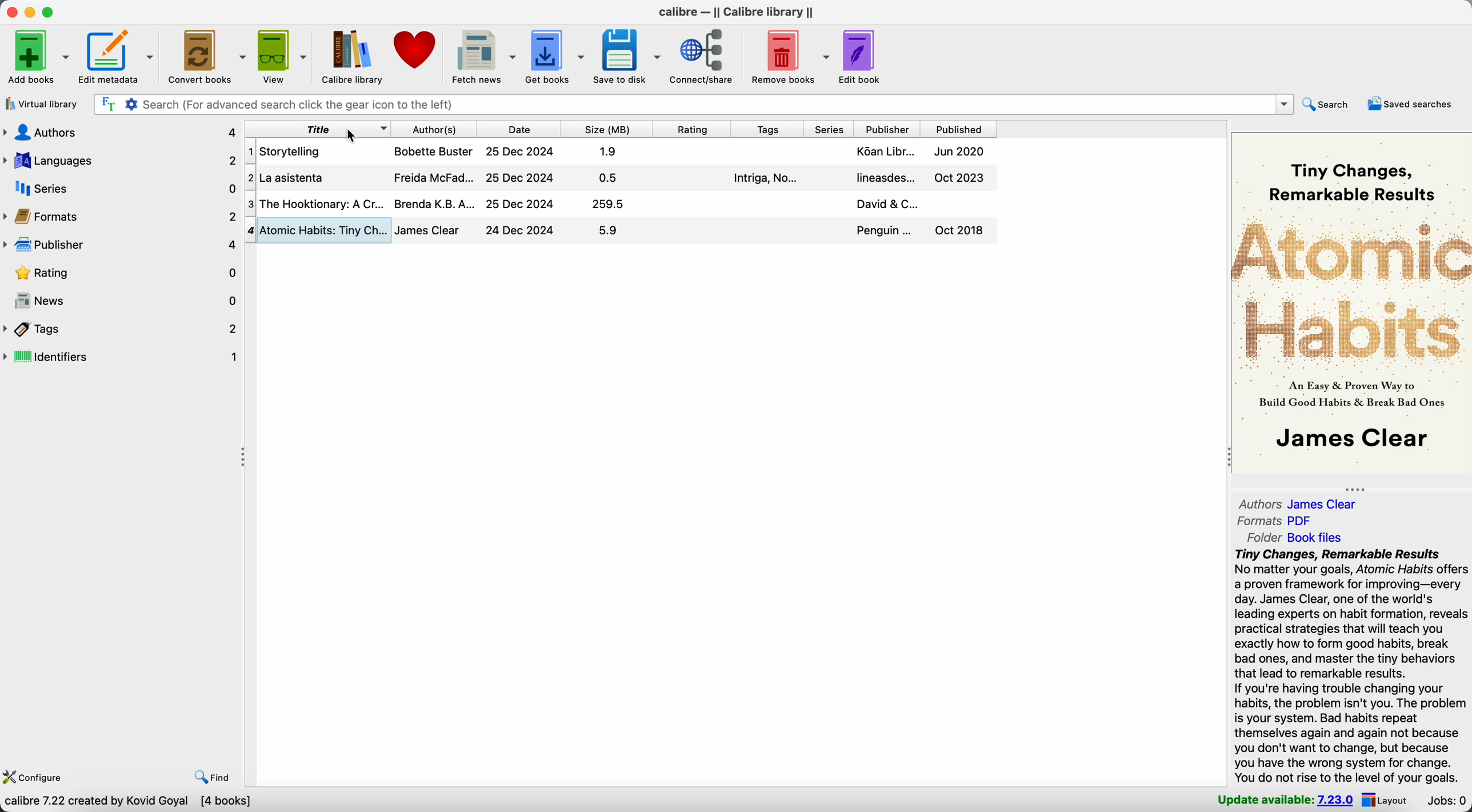 This screenshot has height=812, width=1472. What do you see at coordinates (627, 55) in the screenshot?
I see `save to disk` at bounding box center [627, 55].